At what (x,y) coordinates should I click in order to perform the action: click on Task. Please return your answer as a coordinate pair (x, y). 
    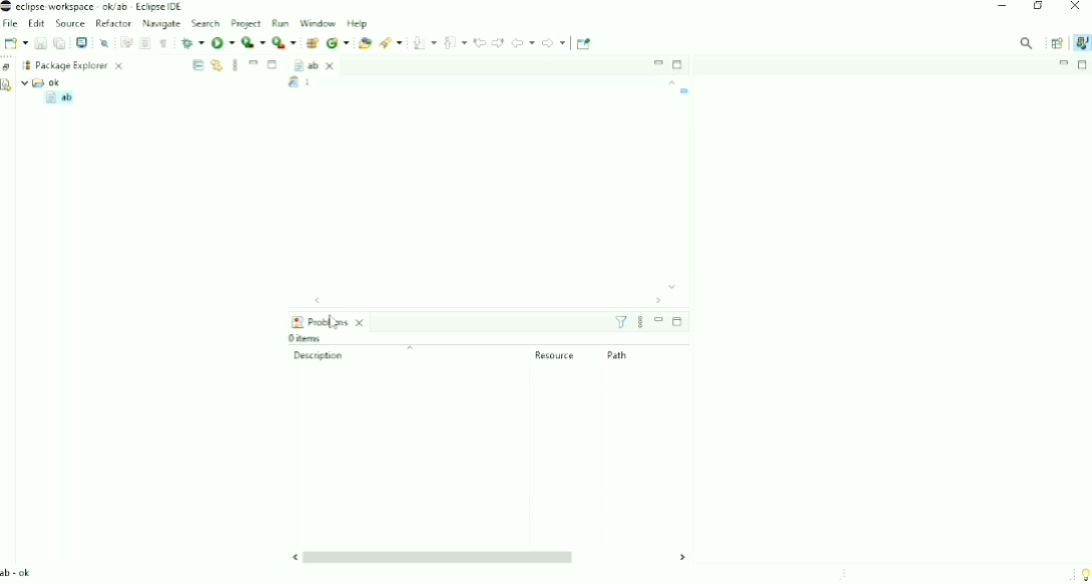
    Looking at the image, I should click on (332, 83).